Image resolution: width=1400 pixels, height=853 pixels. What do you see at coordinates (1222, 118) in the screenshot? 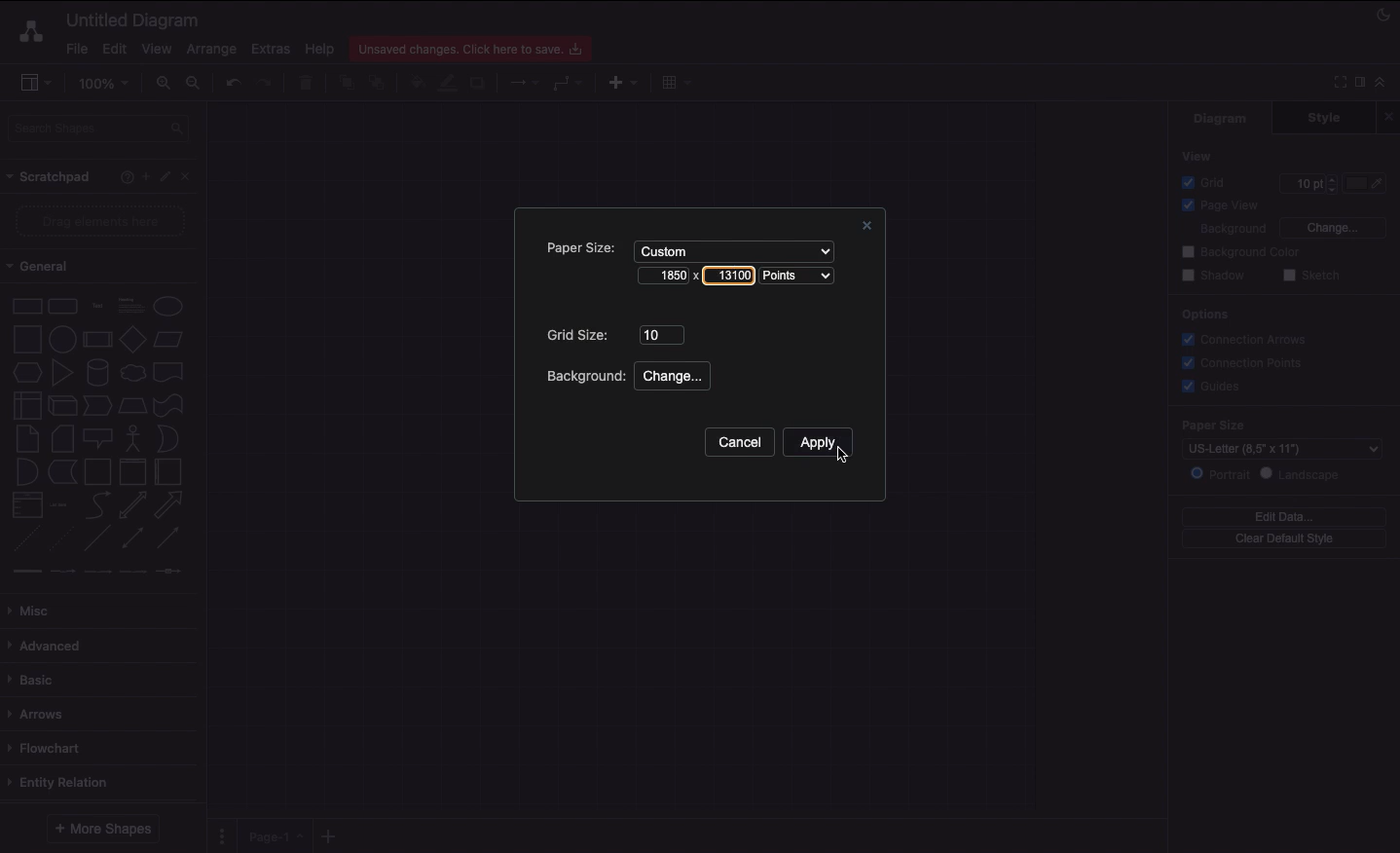
I see `Diagram` at bounding box center [1222, 118].